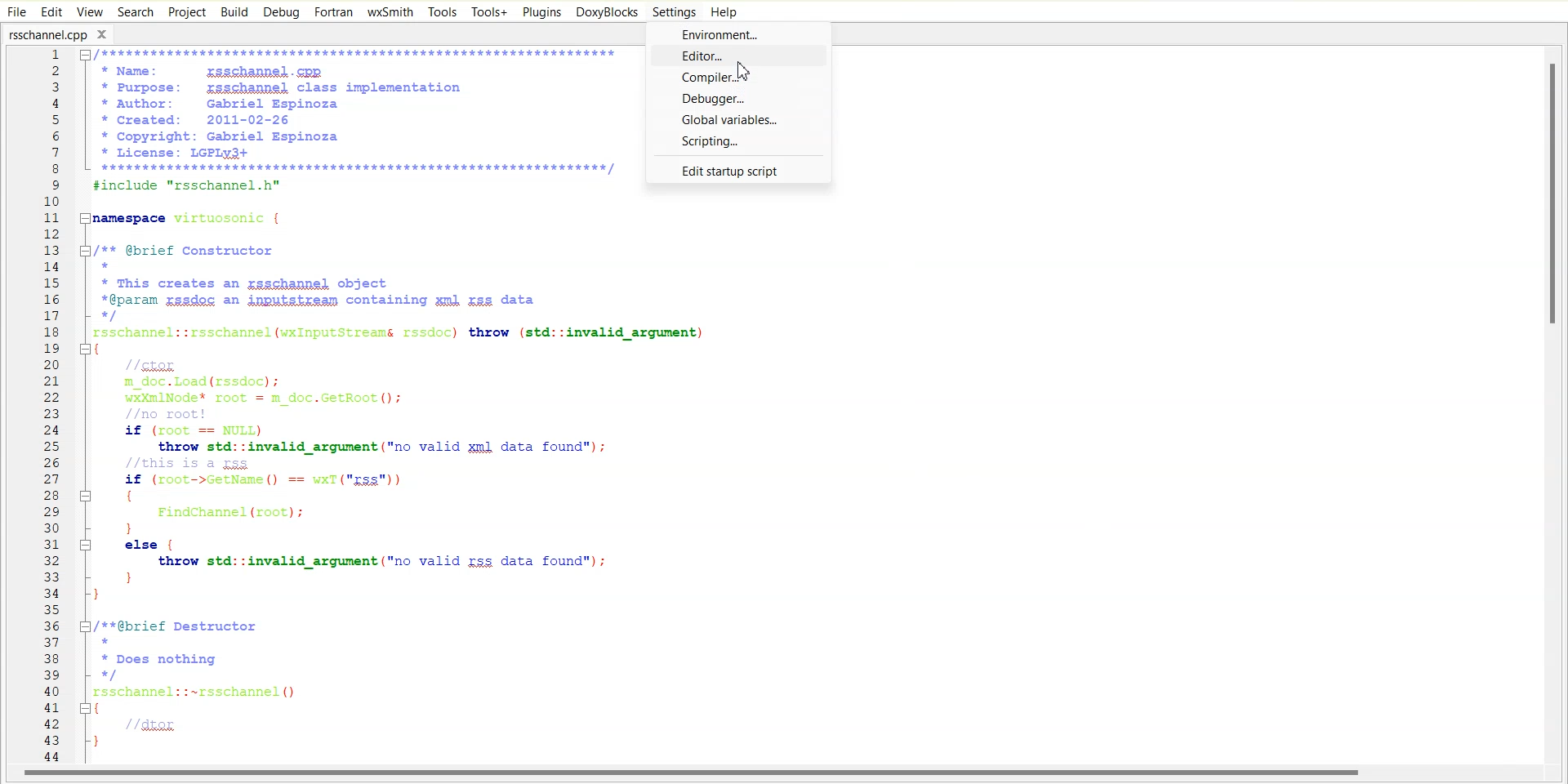  I want to click on Close, so click(107, 33).